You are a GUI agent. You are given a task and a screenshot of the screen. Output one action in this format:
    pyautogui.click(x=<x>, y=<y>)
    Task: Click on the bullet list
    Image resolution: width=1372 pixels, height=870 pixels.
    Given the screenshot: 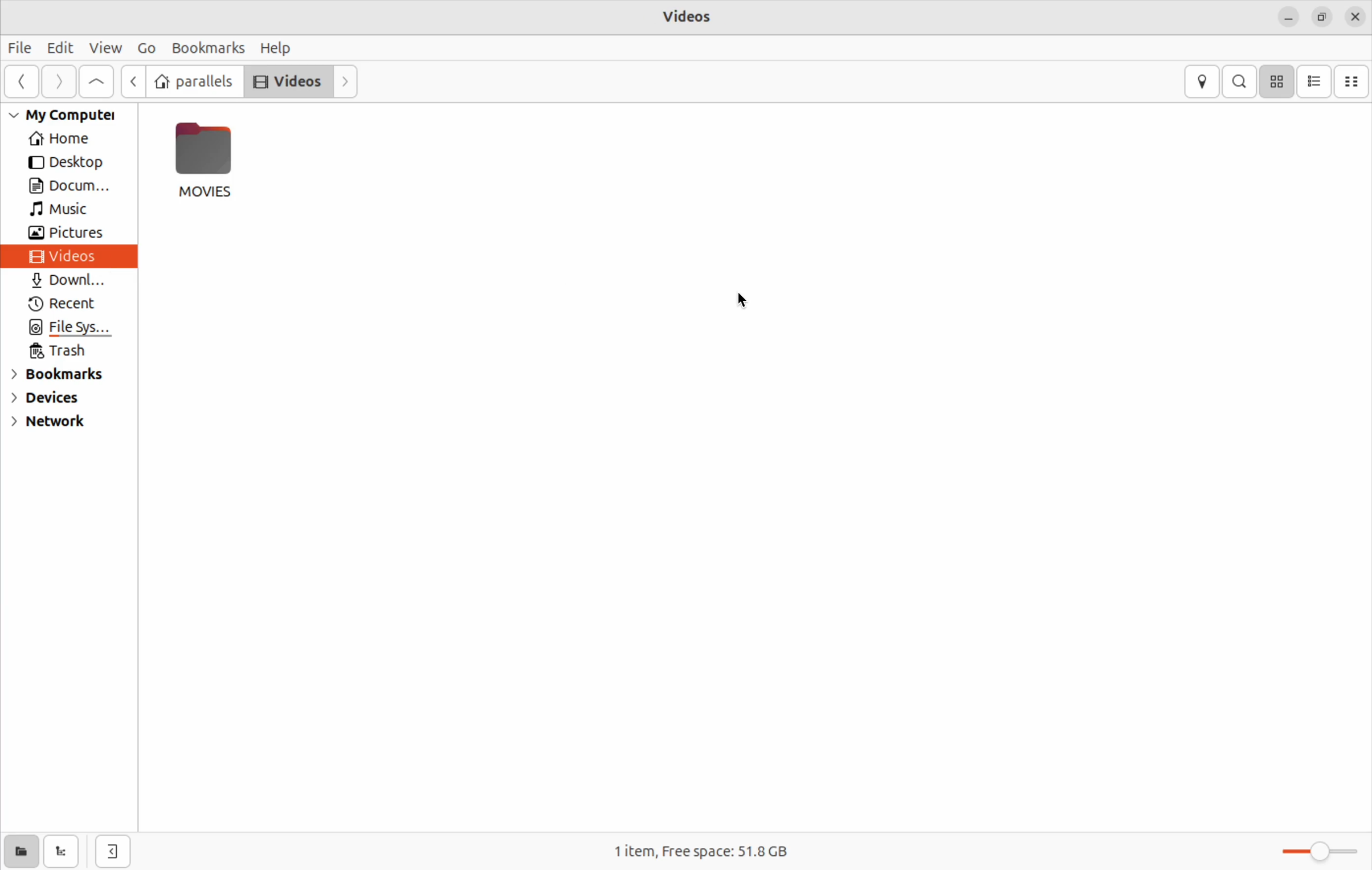 What is the action you would take?
    pyautogui.click(x=1314, y=81)
    